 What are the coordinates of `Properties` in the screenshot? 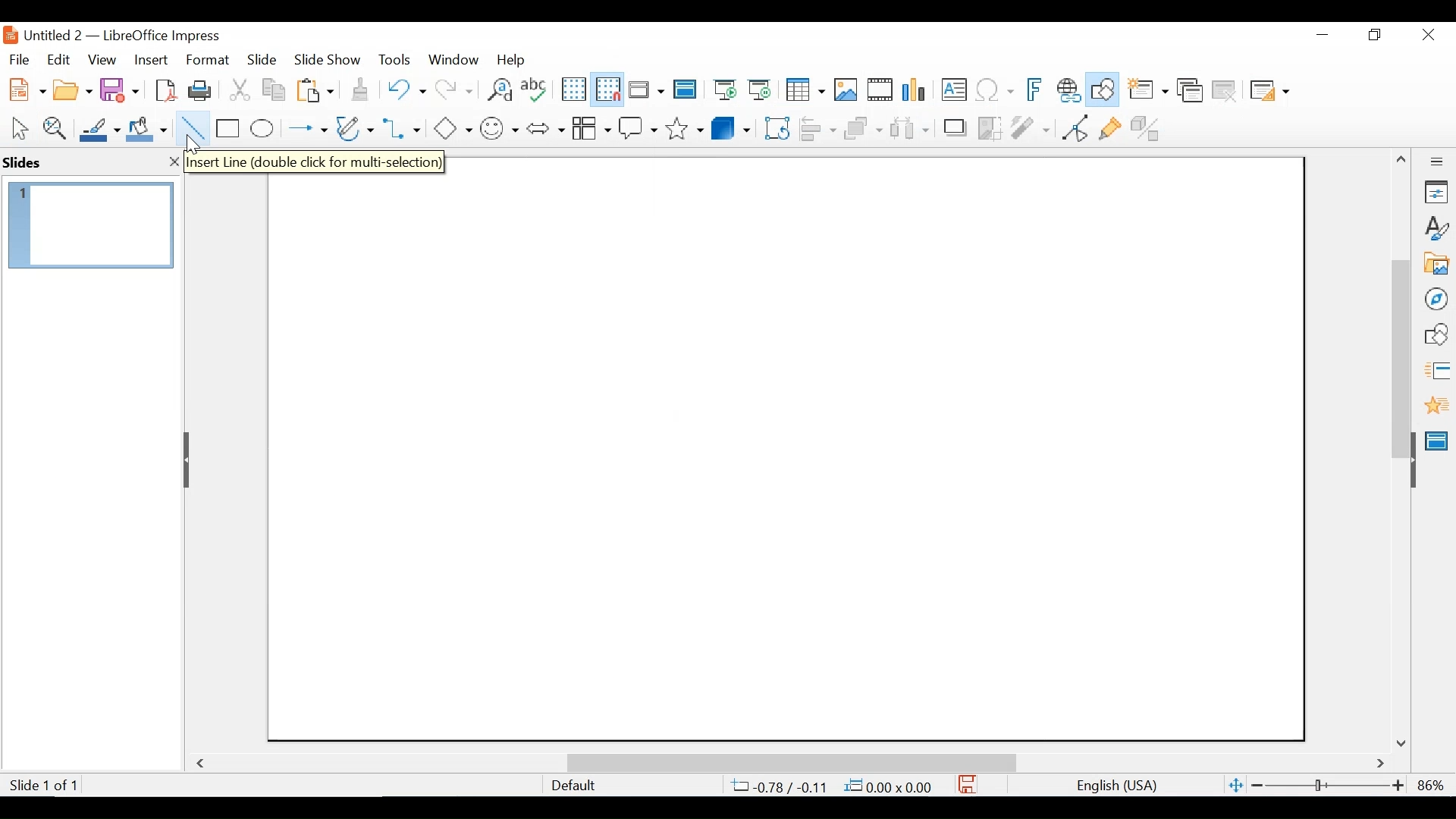 It's located at (1436, 192).